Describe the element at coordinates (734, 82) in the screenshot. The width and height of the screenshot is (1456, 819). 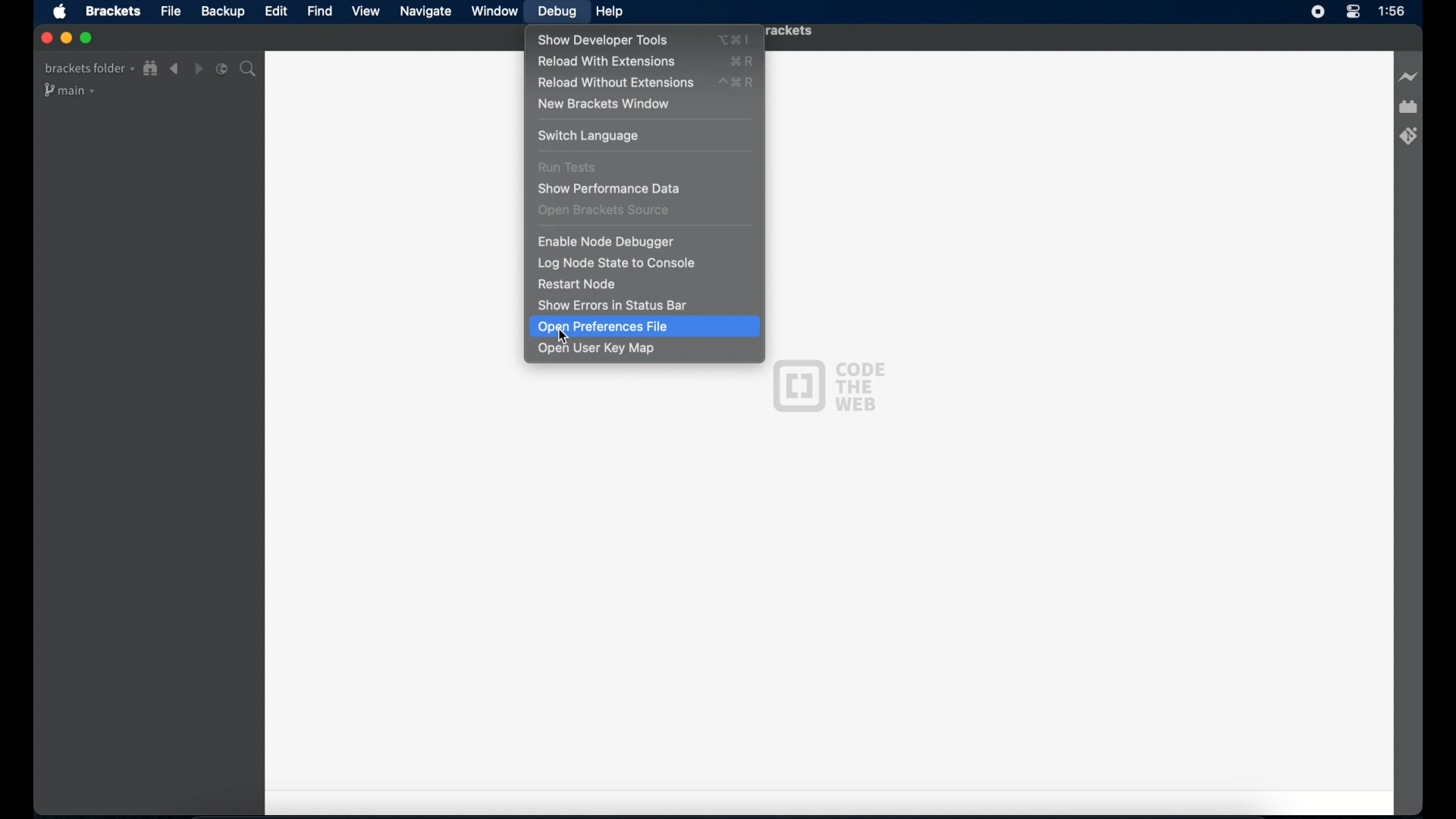
I see `^XR` at that location.